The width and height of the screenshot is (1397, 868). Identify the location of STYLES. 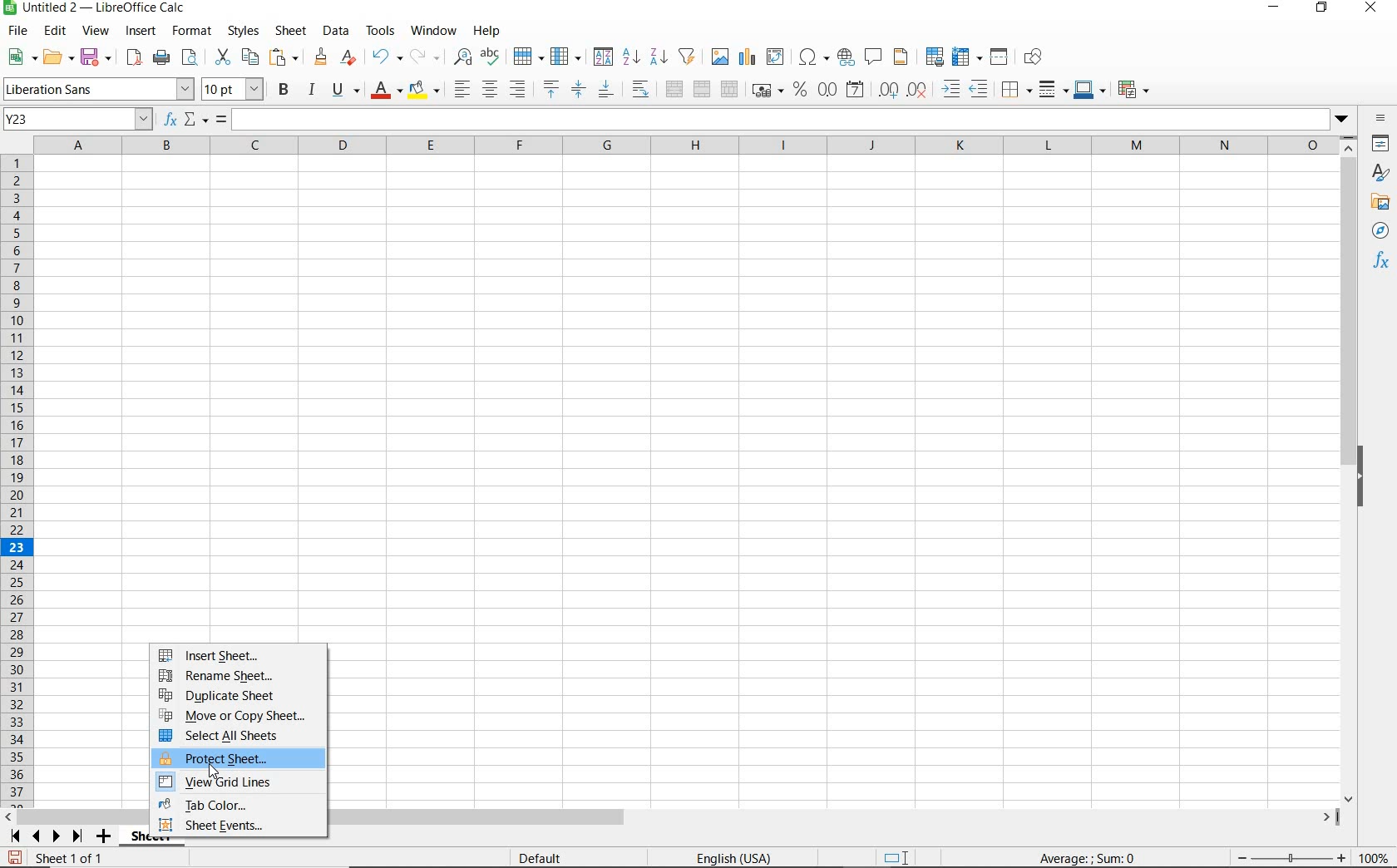
(1380, 173).